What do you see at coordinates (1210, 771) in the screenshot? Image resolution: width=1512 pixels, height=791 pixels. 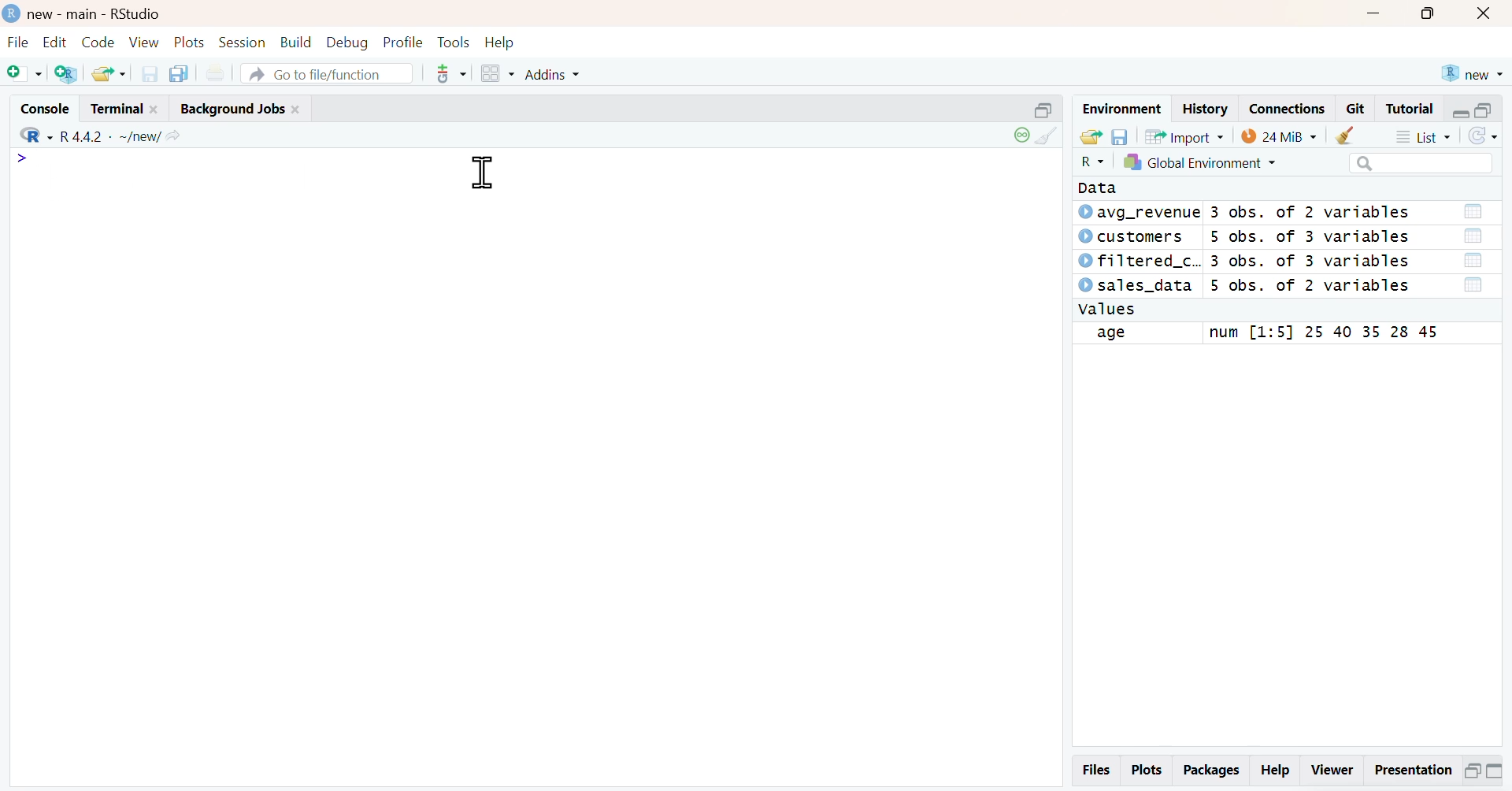 I see `Packages` at bounding box center [1210, 771].